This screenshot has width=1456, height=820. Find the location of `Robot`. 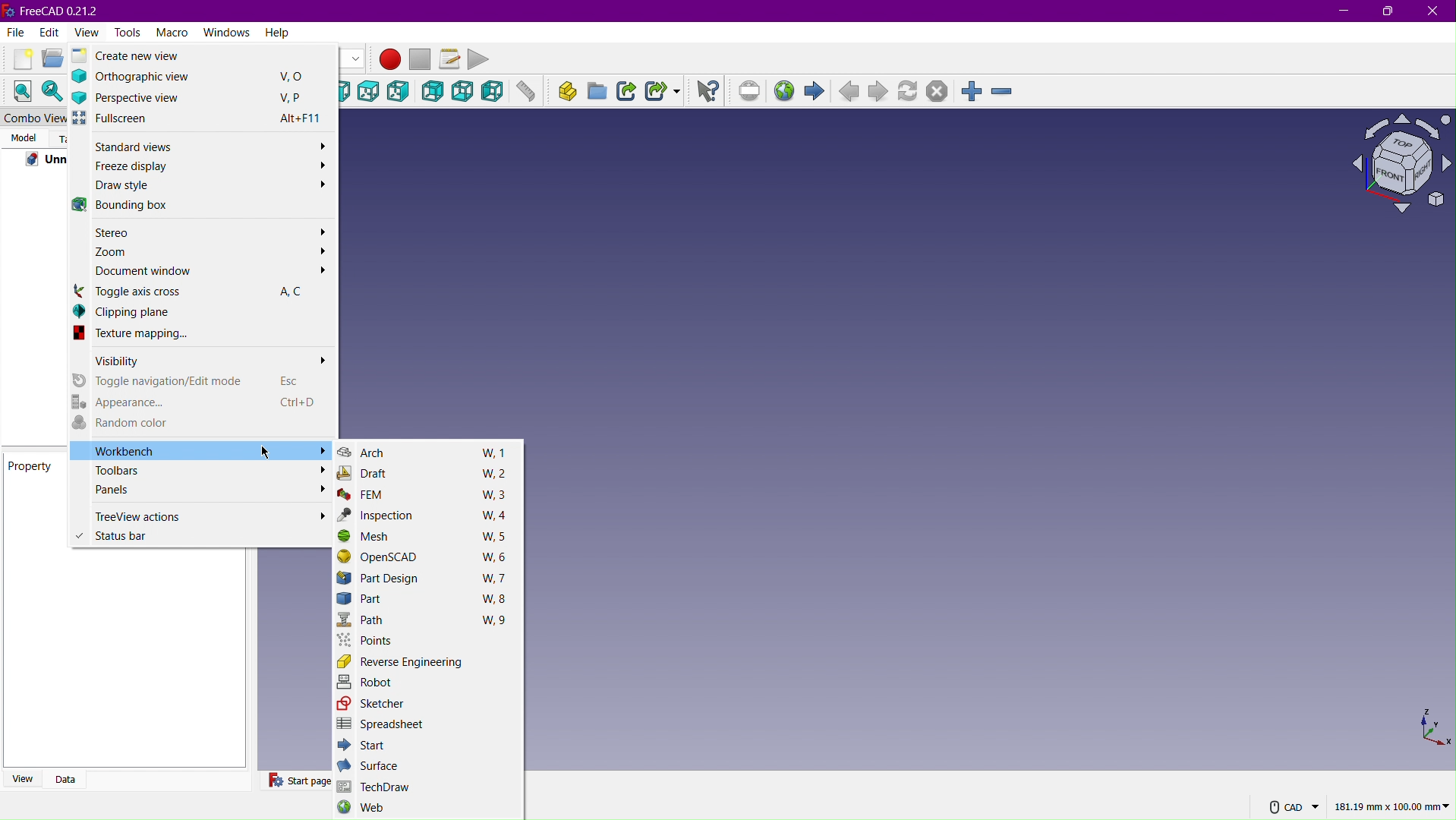

Robot is located at coordinates (367, 685).